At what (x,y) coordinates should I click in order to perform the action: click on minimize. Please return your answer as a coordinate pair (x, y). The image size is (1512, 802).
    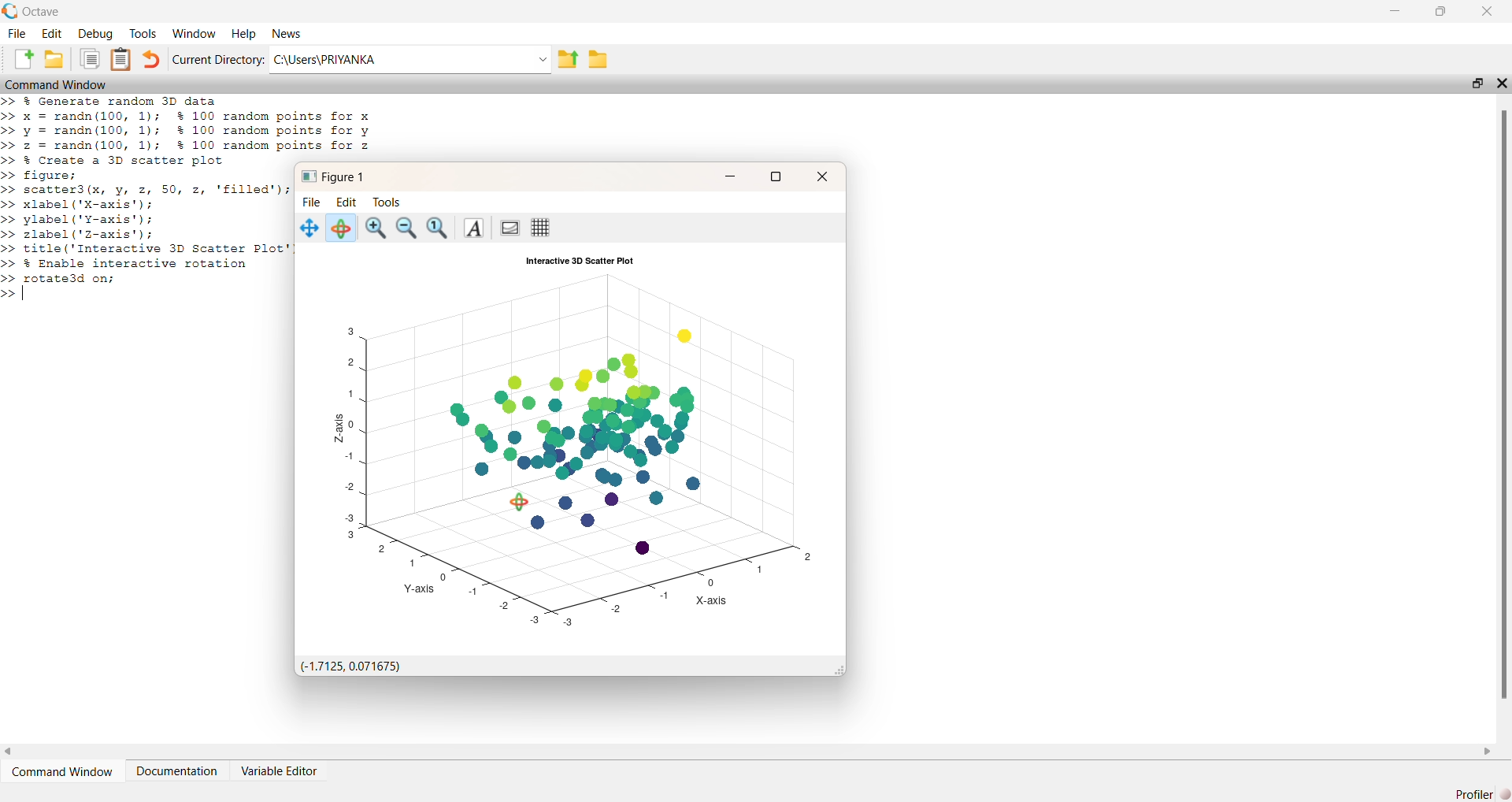
    Looking at the image, I should click on (1396, 10).